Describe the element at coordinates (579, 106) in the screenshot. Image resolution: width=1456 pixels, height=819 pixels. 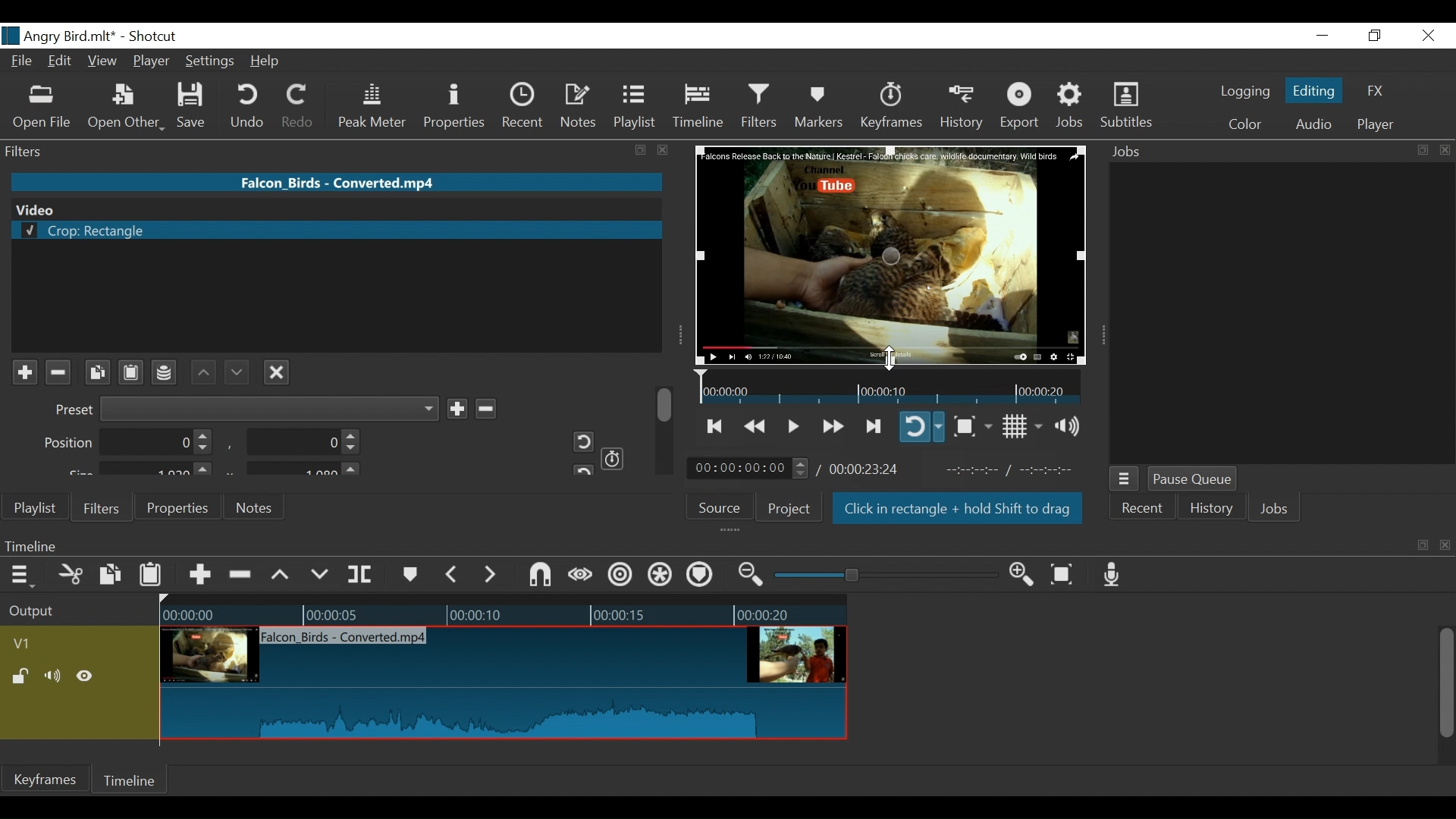
I see `Notes` at that location.